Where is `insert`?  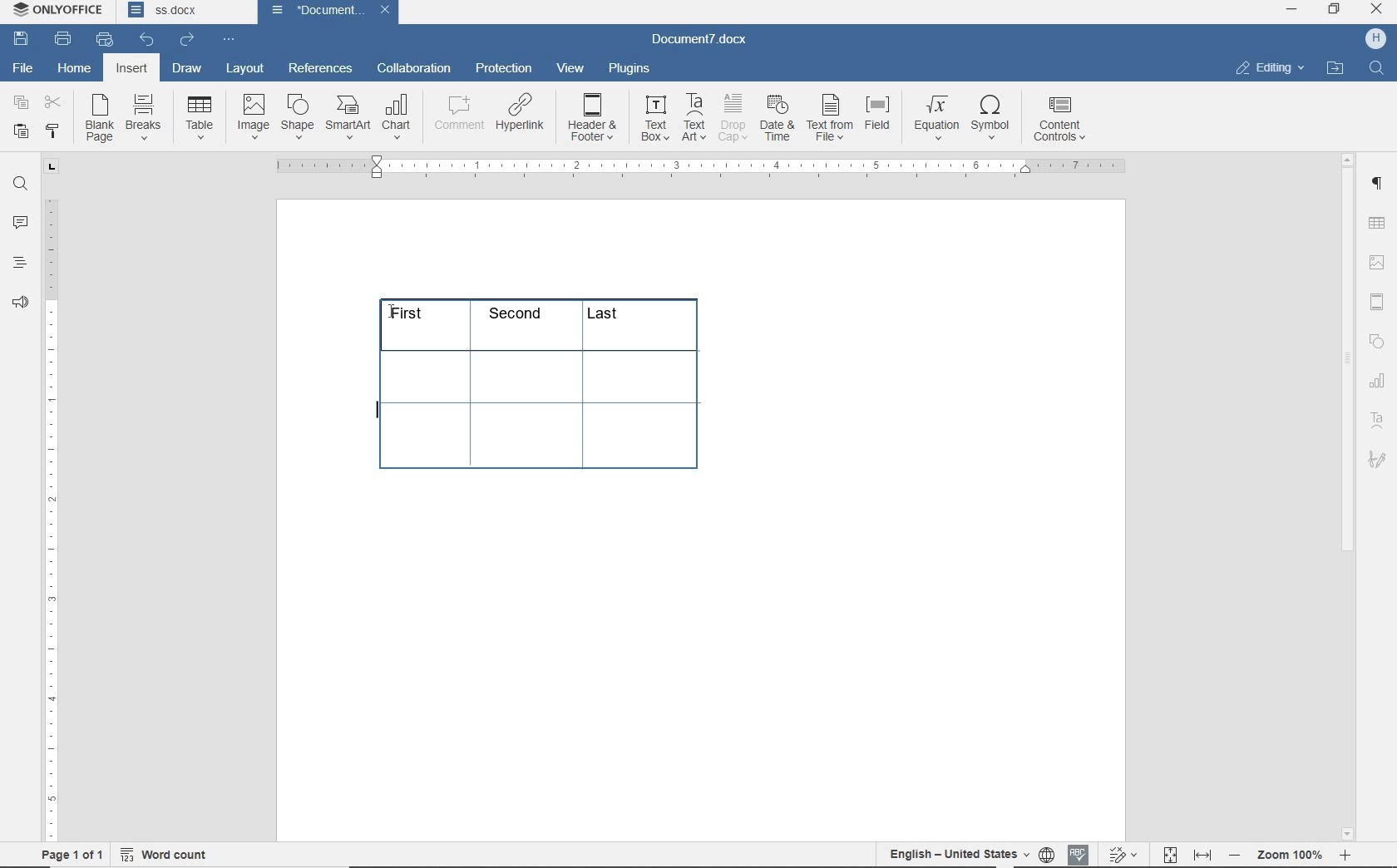
insert is located at coordinates (131, 70).